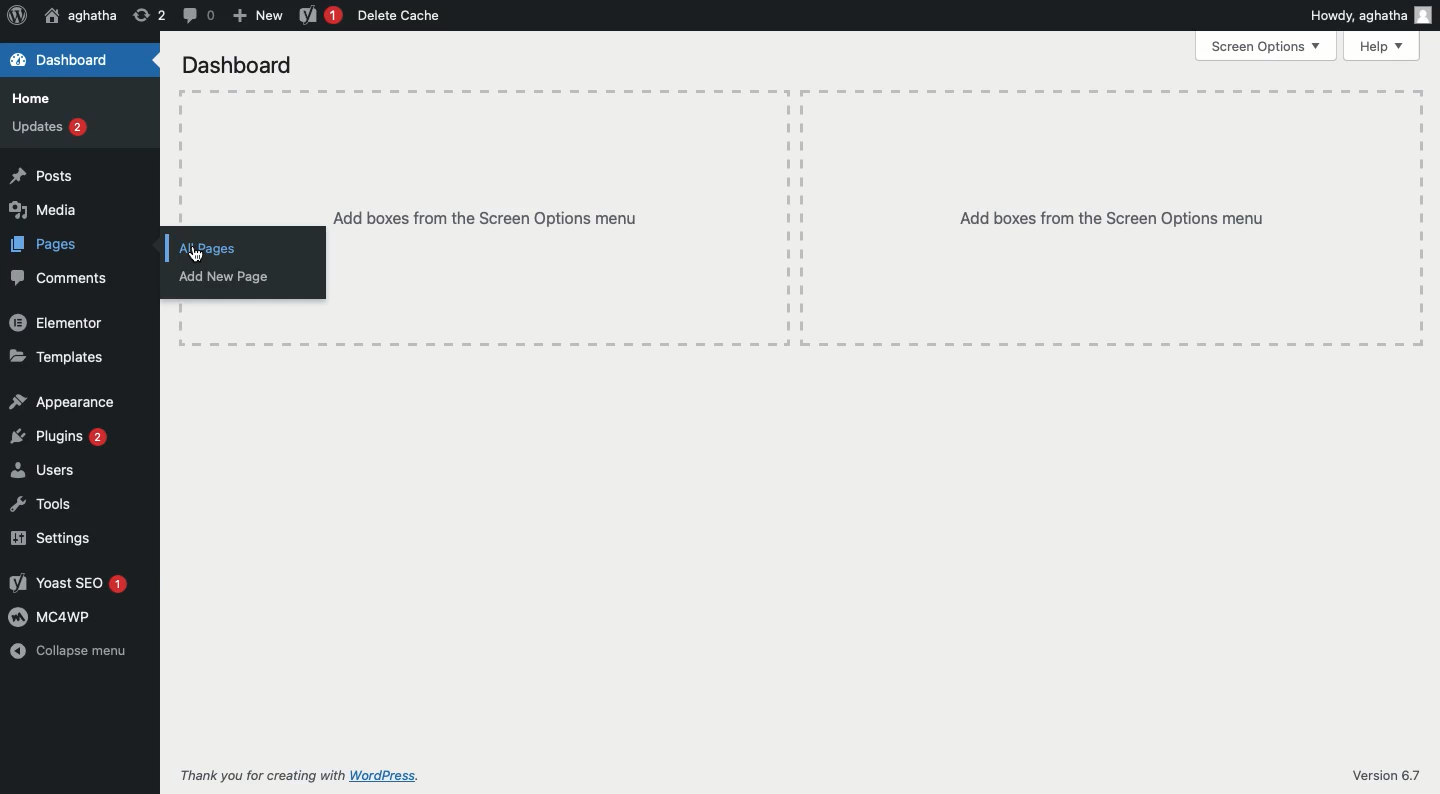 The height and width of the screenshot is (794, 1440). Describe the element at coordinates (67, 652) in the screenshot. I see `Collapse menu` at that location.